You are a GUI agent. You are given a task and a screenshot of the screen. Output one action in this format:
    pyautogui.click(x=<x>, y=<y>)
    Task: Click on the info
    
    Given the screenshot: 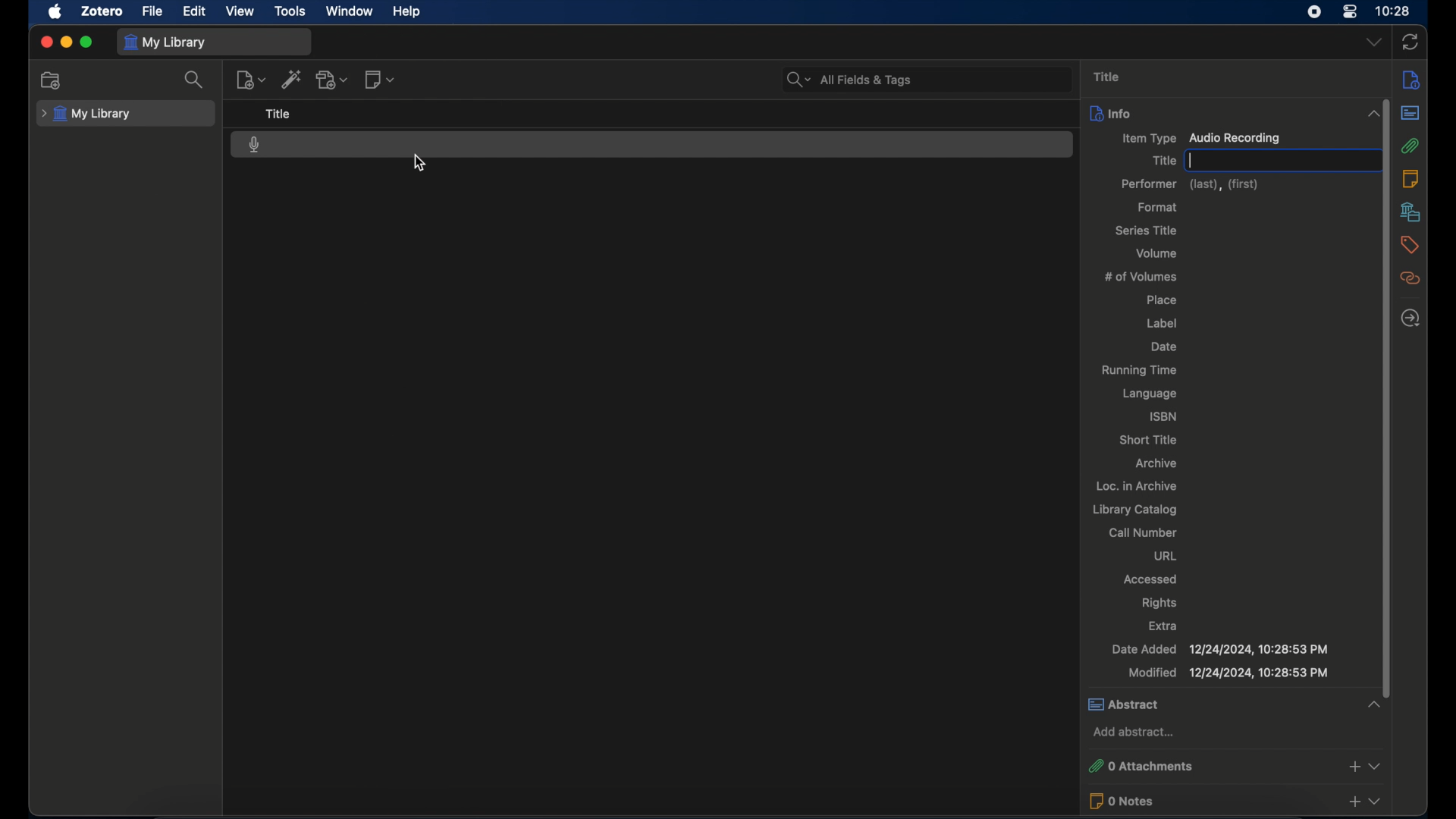 What is the action you would take?
    pyautogui.click(x=1232, y=113)
    